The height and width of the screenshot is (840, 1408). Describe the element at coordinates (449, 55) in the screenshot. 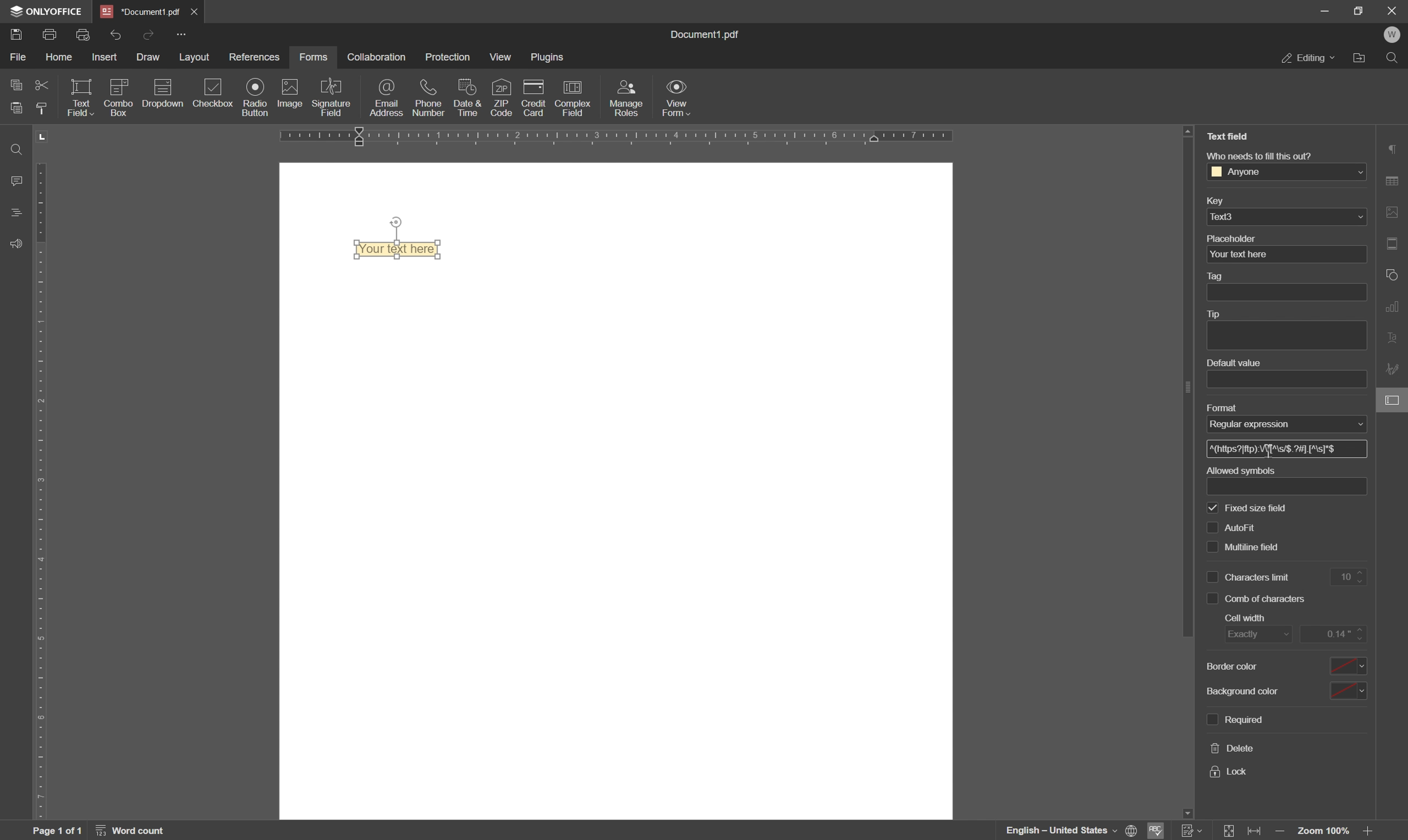

I see `protection` at that location.